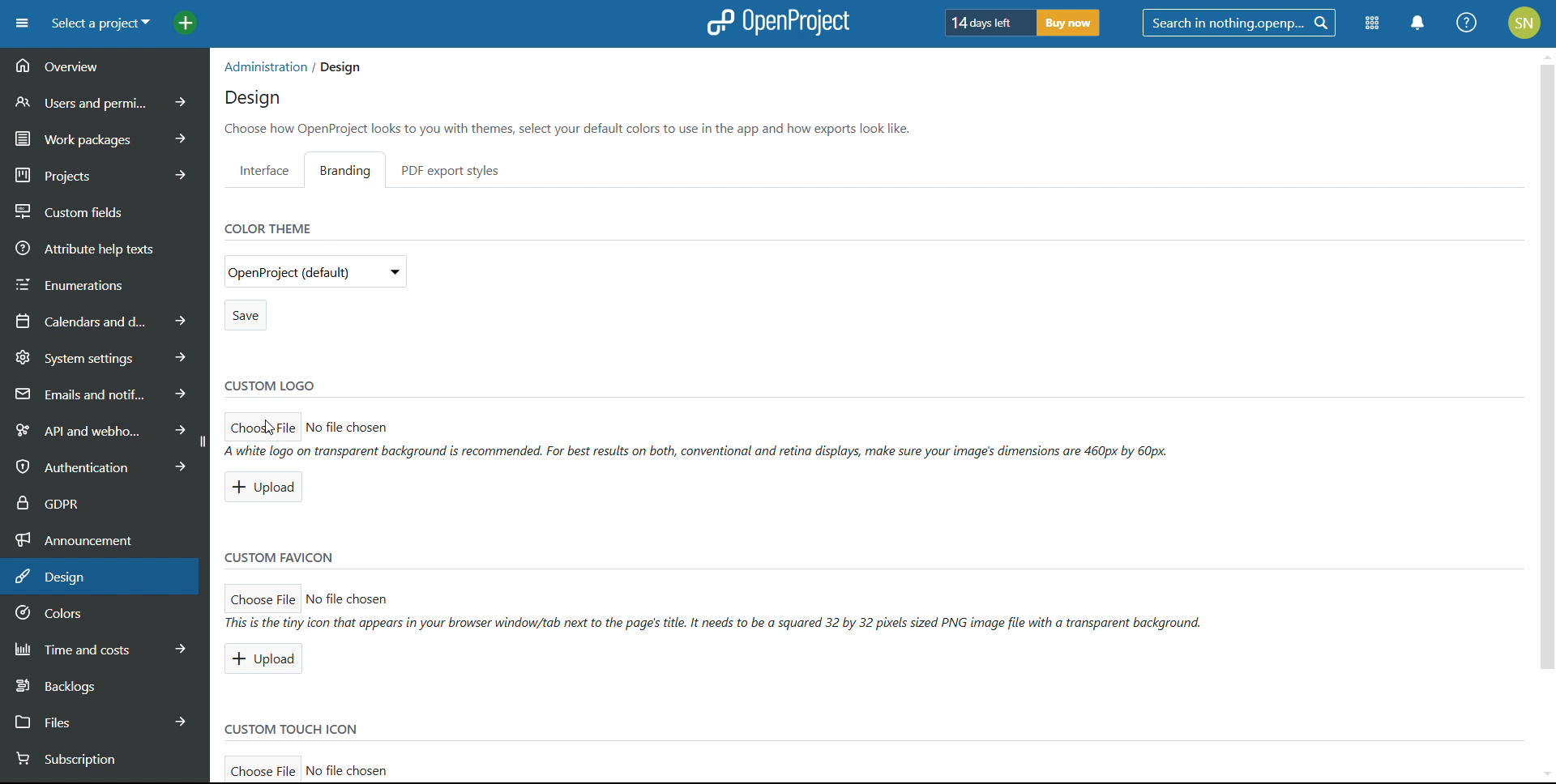 The width and height of the screenshot is (1556, 784). Describe the element at coordinates (102, 614) in the screenshot. I see `colors` at that location.